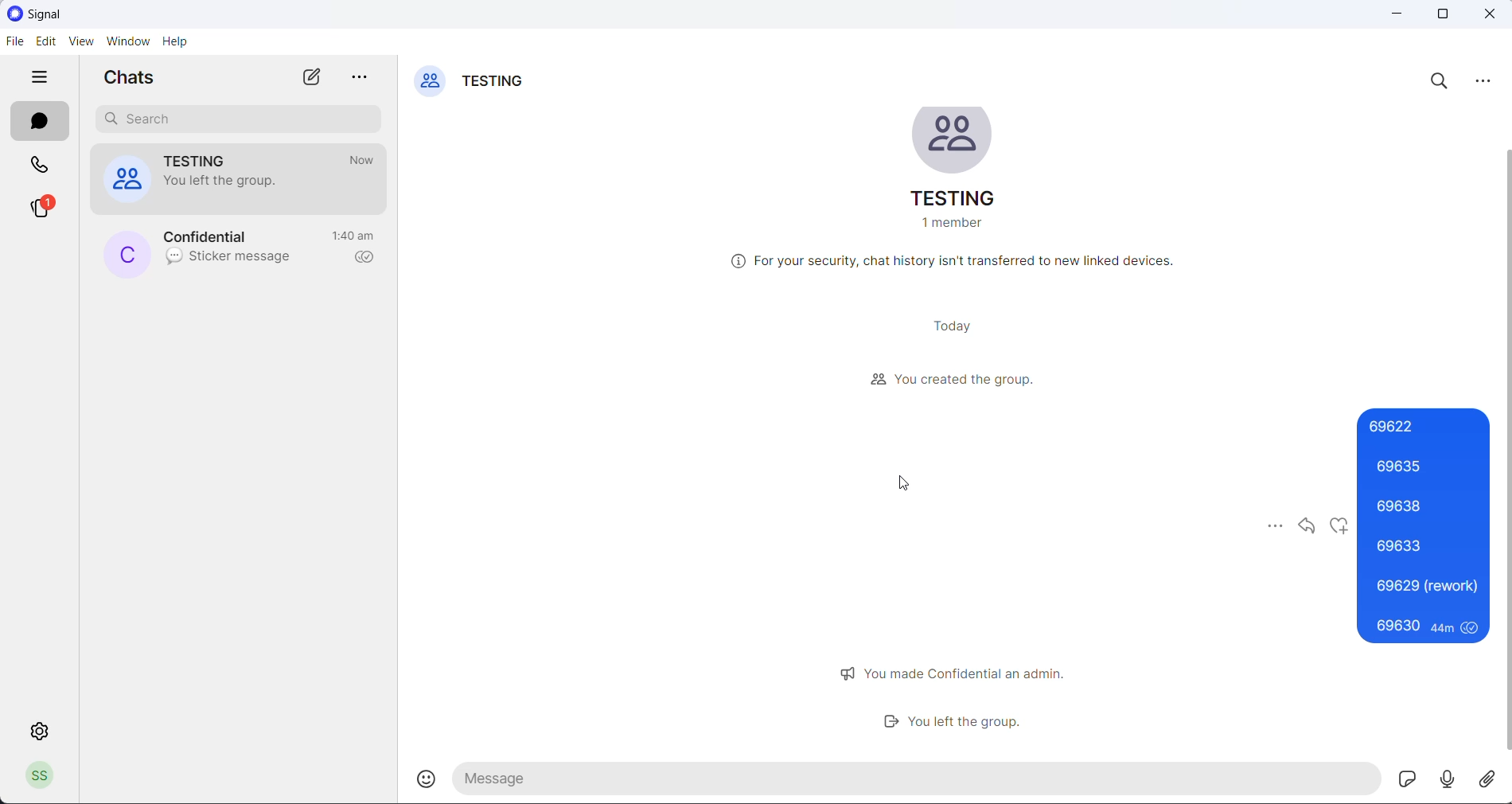 The height and width of the screenshot is (804, 1512). What do you see at coordinates (961, 266) in the screenshot?
I see `security related text` at bounding box center [961, 266].